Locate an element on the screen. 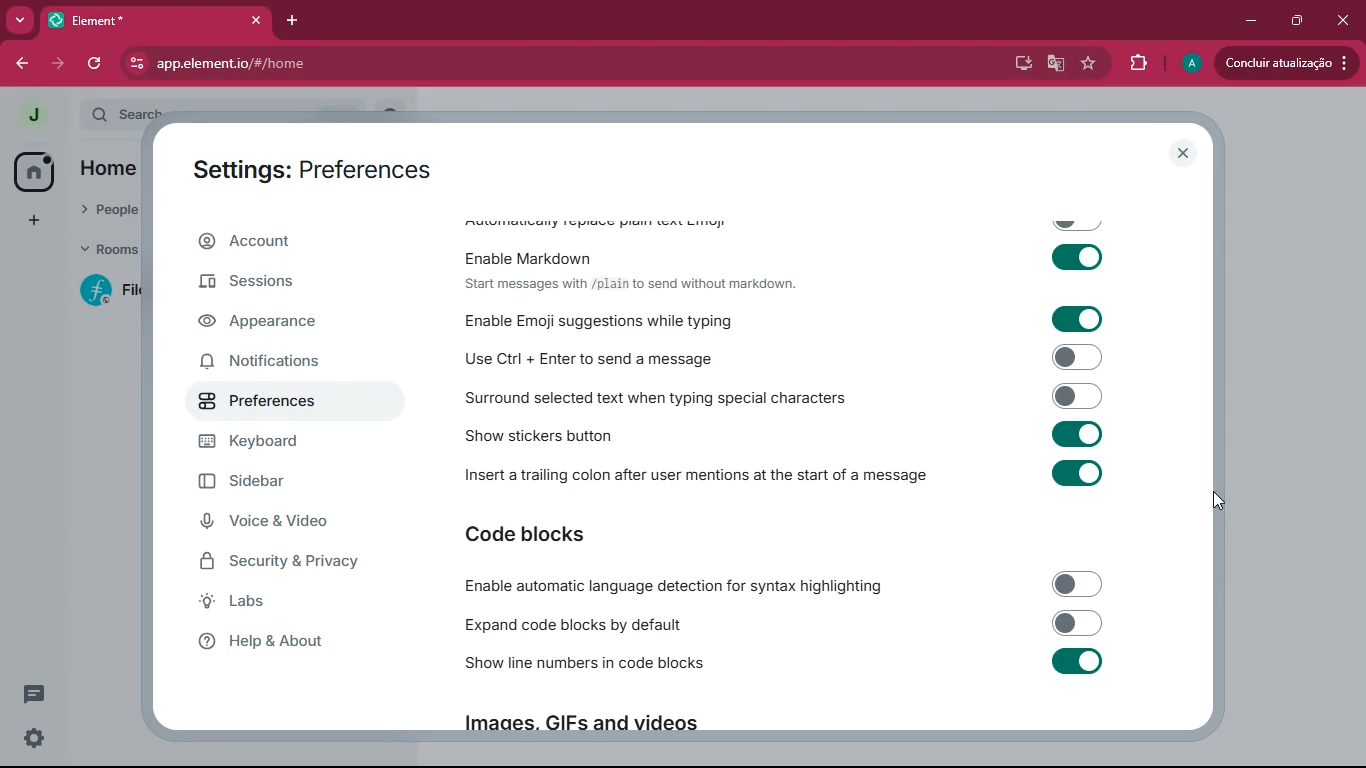 The image size is (1366, 768). keyboard is located at coordinates (287, 443).